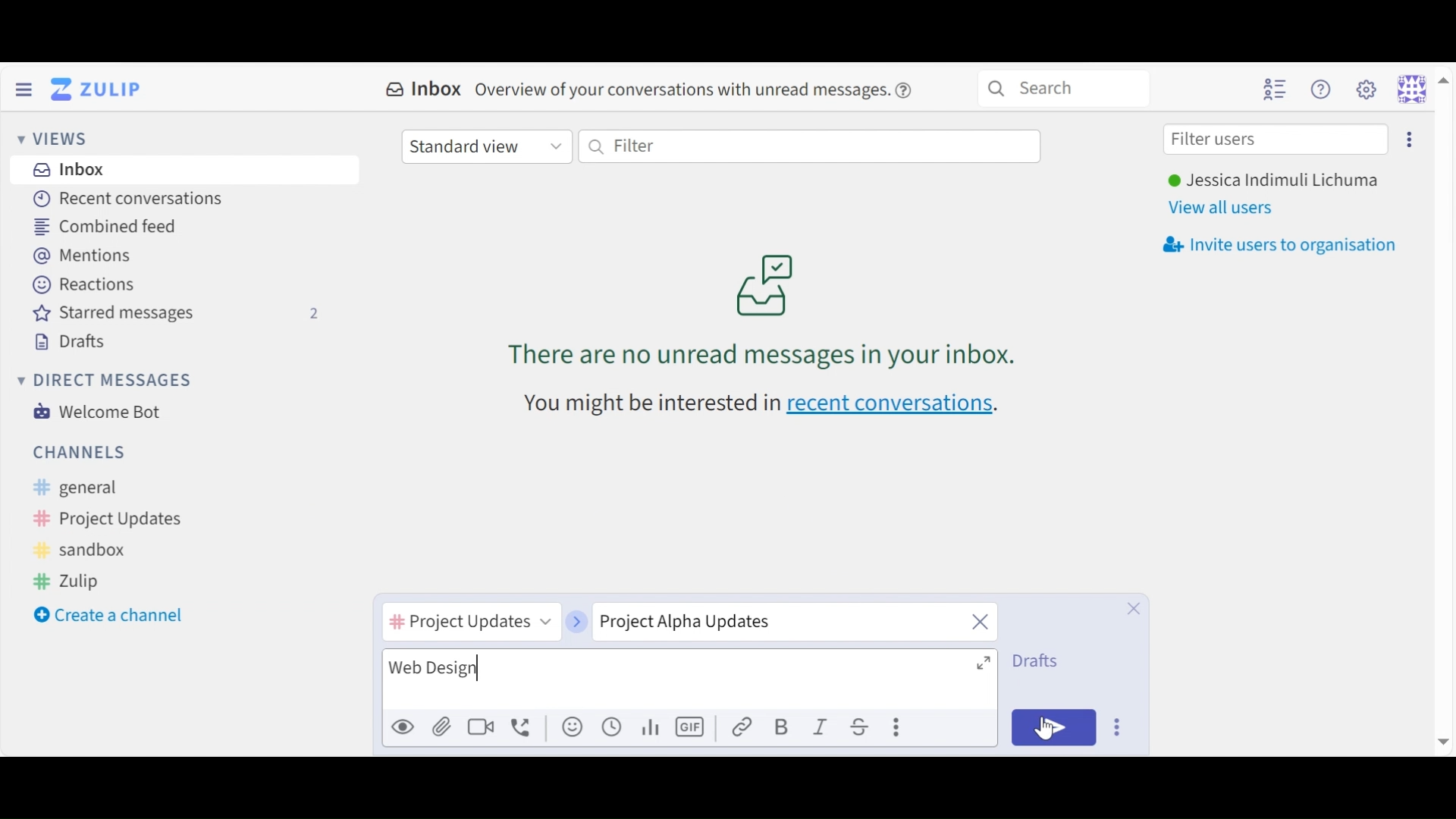  Describe the element at coordinates (111, 617) in the screenshot. I see `Create a channel` at that location.